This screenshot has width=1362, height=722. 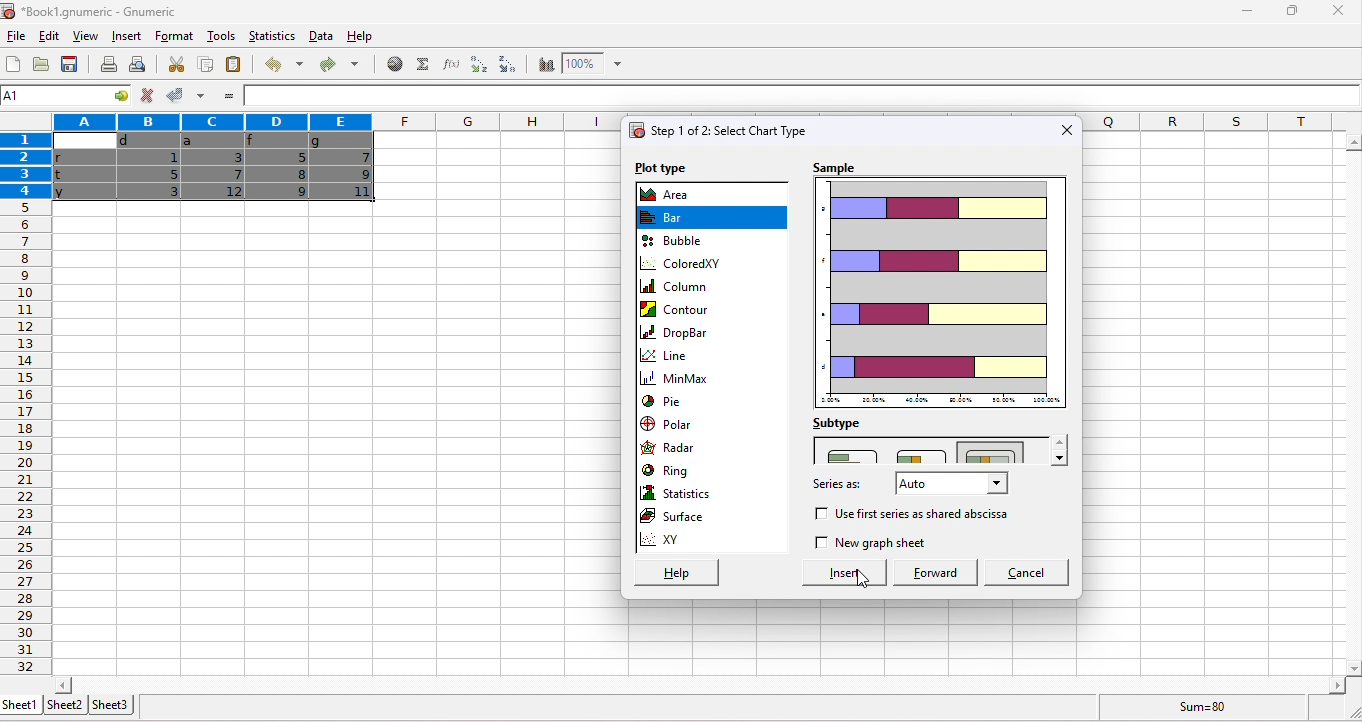 What do you see at coordinates (666, 401) in the screenshot?
I see `pie` at bounding box center [666, 401].